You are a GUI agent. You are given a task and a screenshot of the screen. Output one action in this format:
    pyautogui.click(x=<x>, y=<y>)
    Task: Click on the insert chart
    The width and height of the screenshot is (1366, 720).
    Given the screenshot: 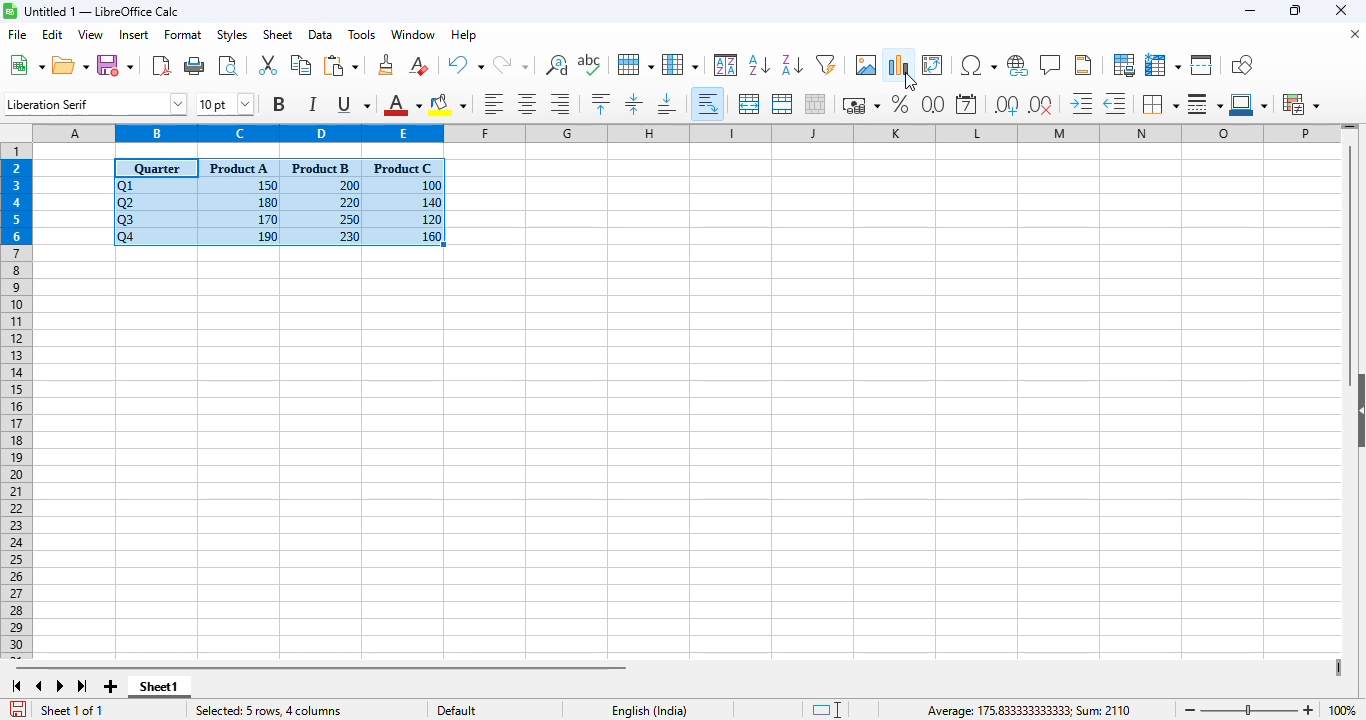 What is the action you would take?
    pyautogui.click(x=899, y=64)
    